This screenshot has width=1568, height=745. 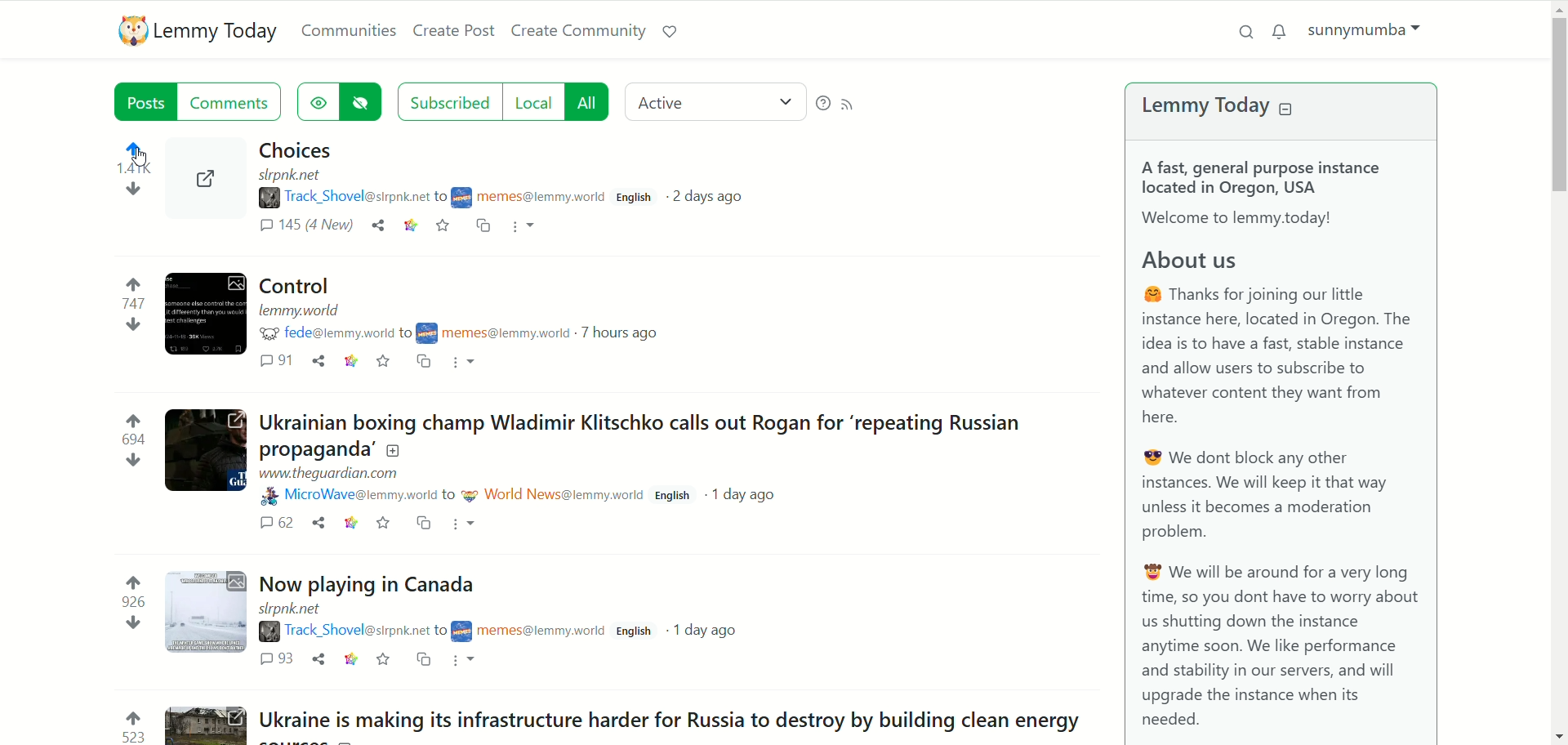 What do you see at coordinates (276, 362) in the screenshot?
I see `91 comments` at bounding box center [276, 362].